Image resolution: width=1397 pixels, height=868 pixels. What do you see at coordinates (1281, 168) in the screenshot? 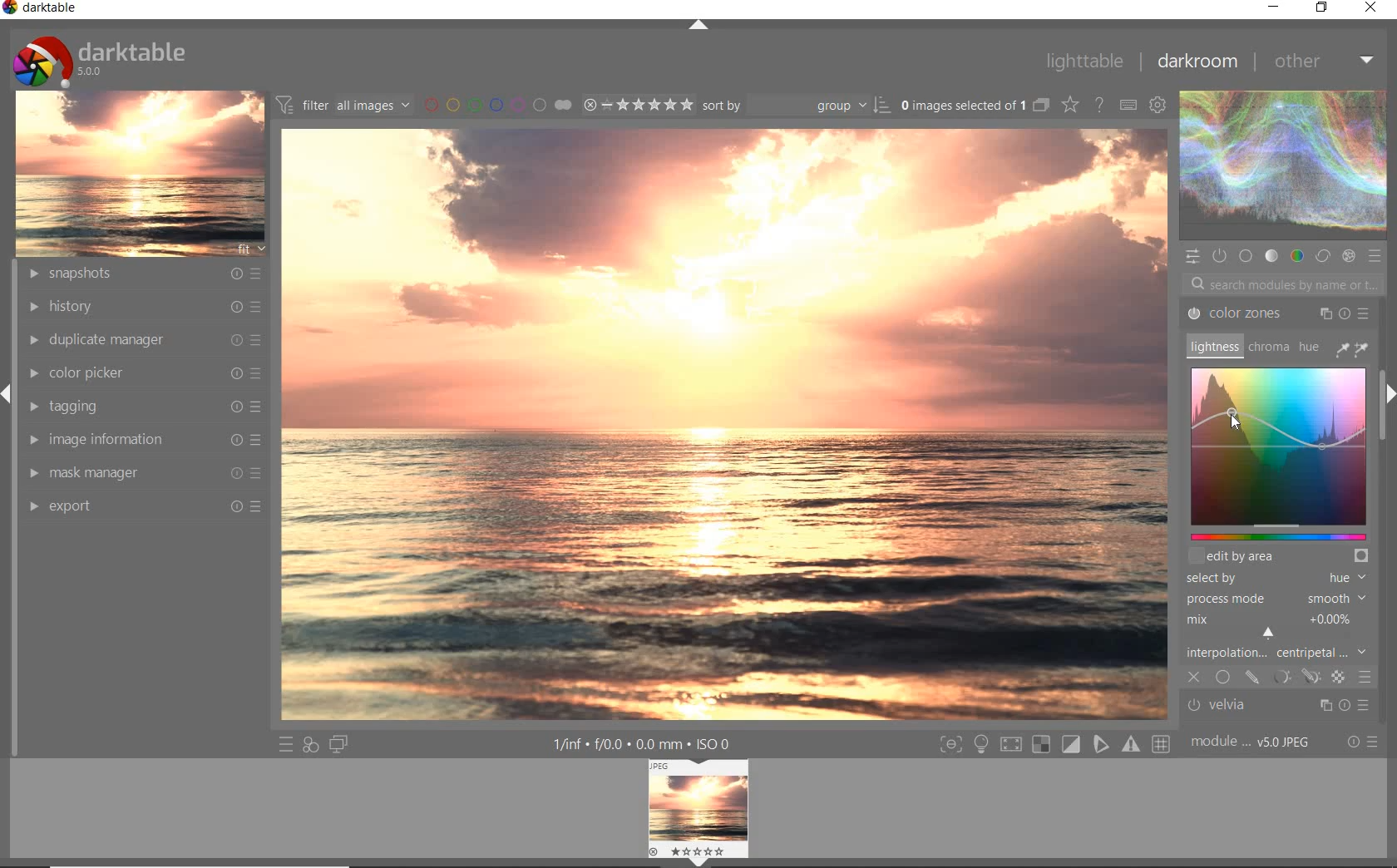
I see `WAVE FORM` at bounding box center [1281, 168].